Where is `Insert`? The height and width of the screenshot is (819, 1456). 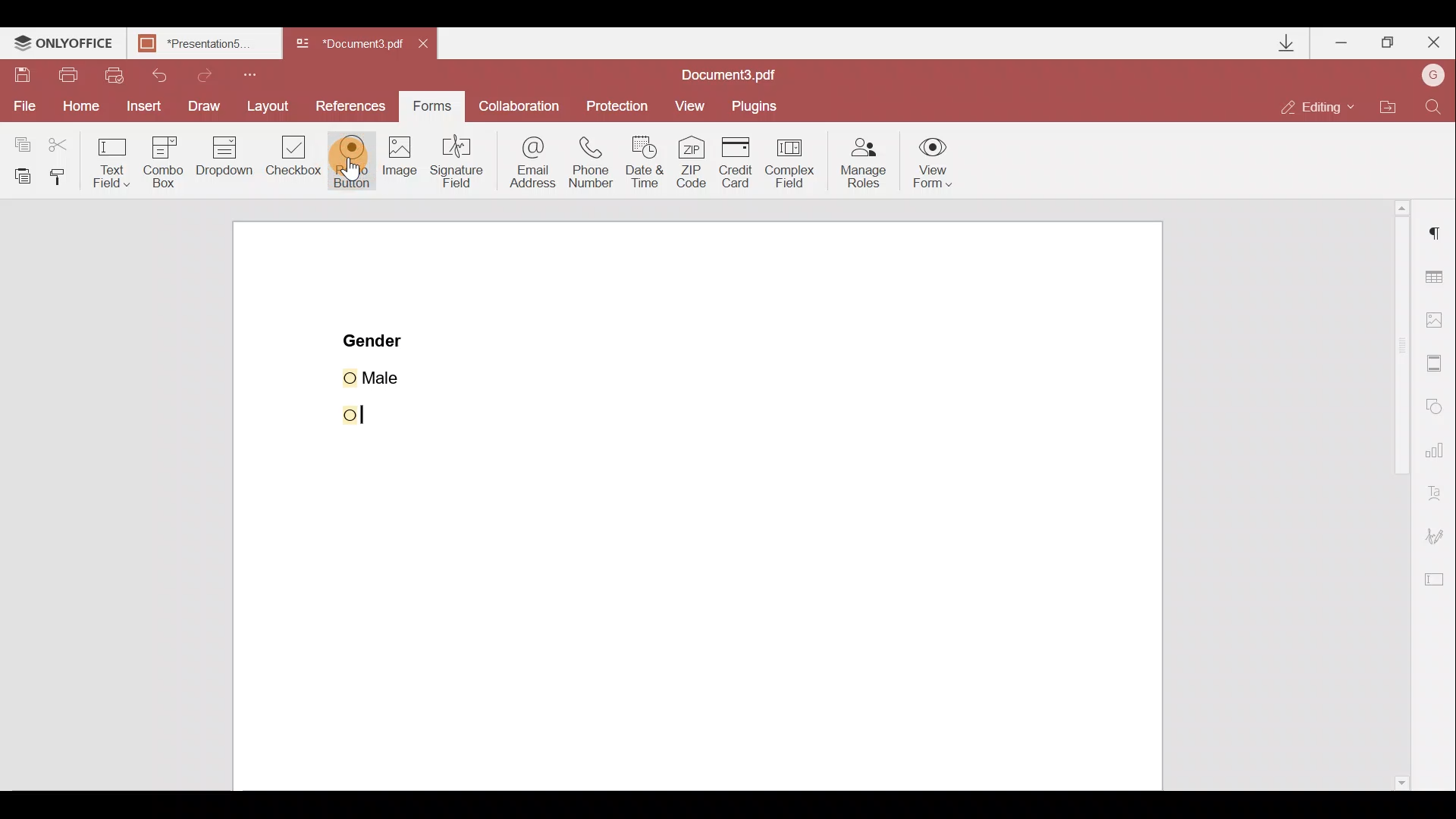 Insert is located at coordinates (142, 108).